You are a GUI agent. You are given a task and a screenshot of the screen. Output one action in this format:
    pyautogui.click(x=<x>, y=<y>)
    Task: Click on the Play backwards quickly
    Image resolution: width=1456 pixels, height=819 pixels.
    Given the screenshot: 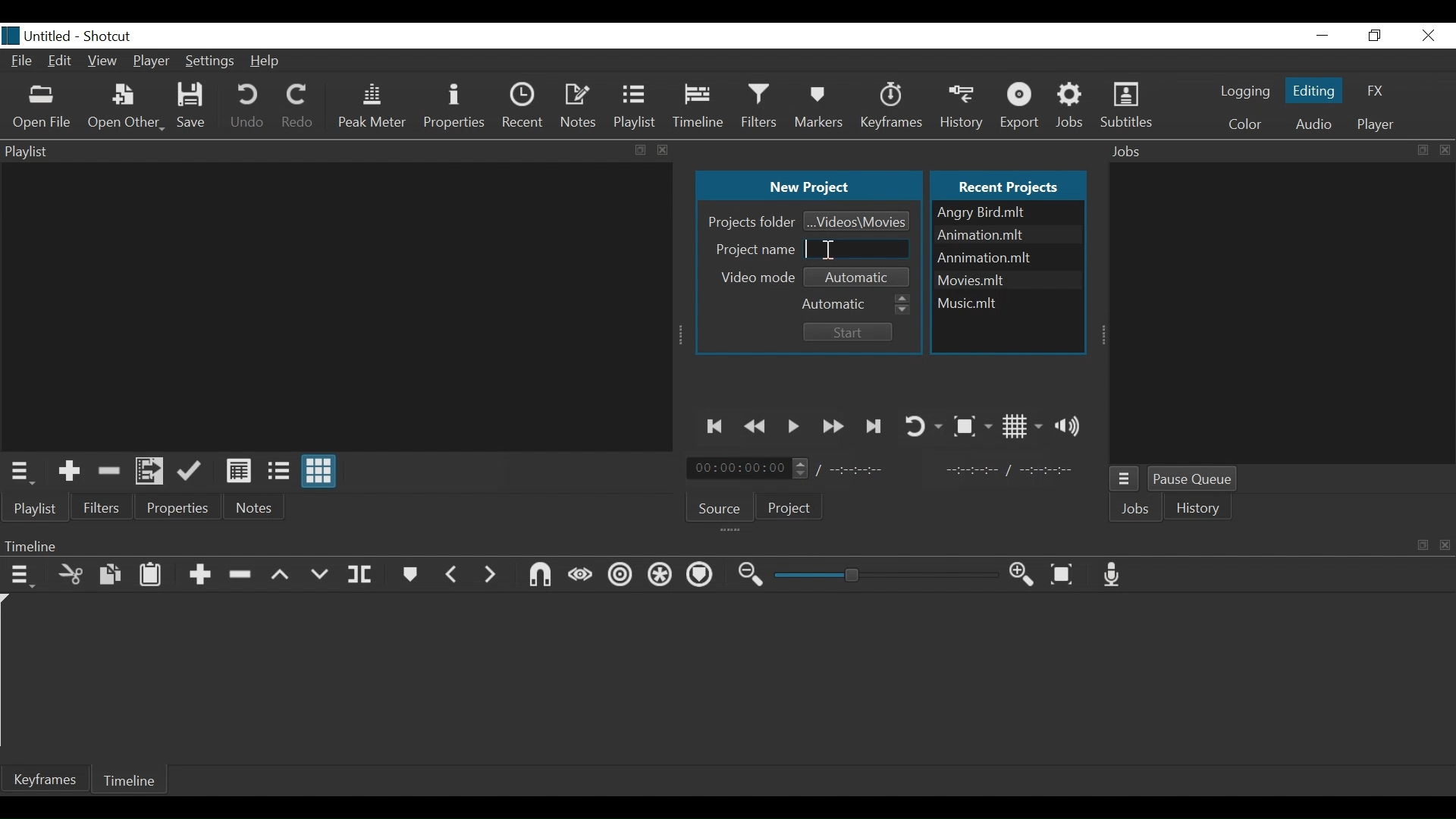 What is the action you would take?
    pyautogui.click(x=758, y=427)
    